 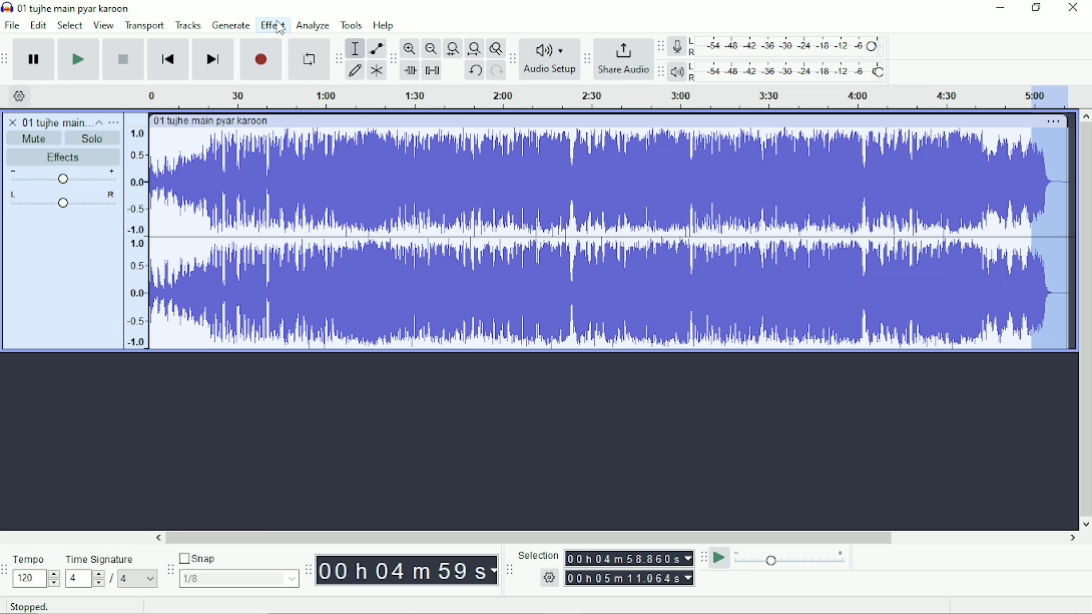 What do you see at coordinates (122, 59) in the screenshot?
I see `Stop` at bounding box center [122, 59].